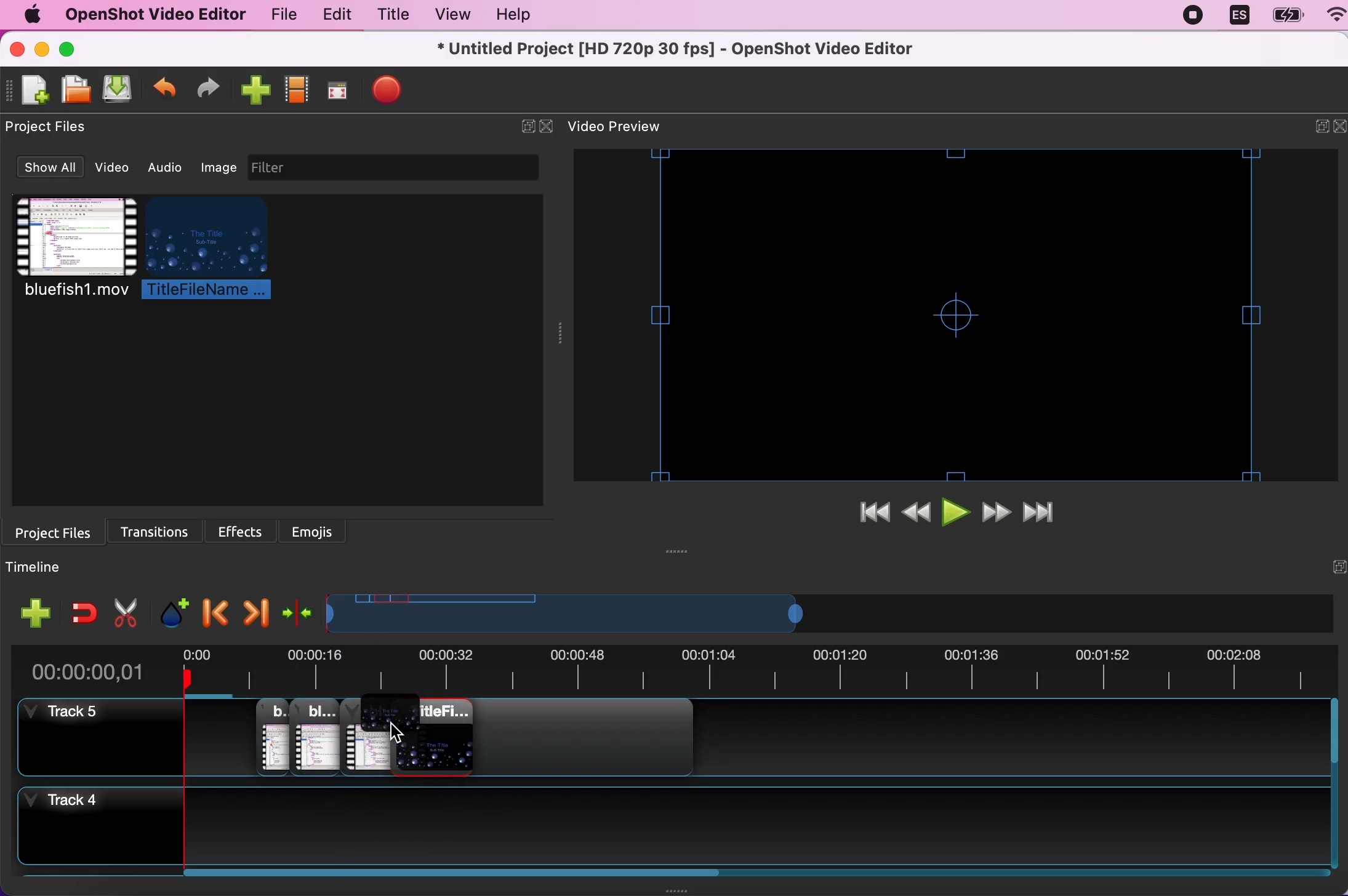 Image resolution: width=1348 pixels, height=896 pixels. What do you see at coordinates (165, 92) in the screenshot?
I see `undo` at bounding box center [165, 92].